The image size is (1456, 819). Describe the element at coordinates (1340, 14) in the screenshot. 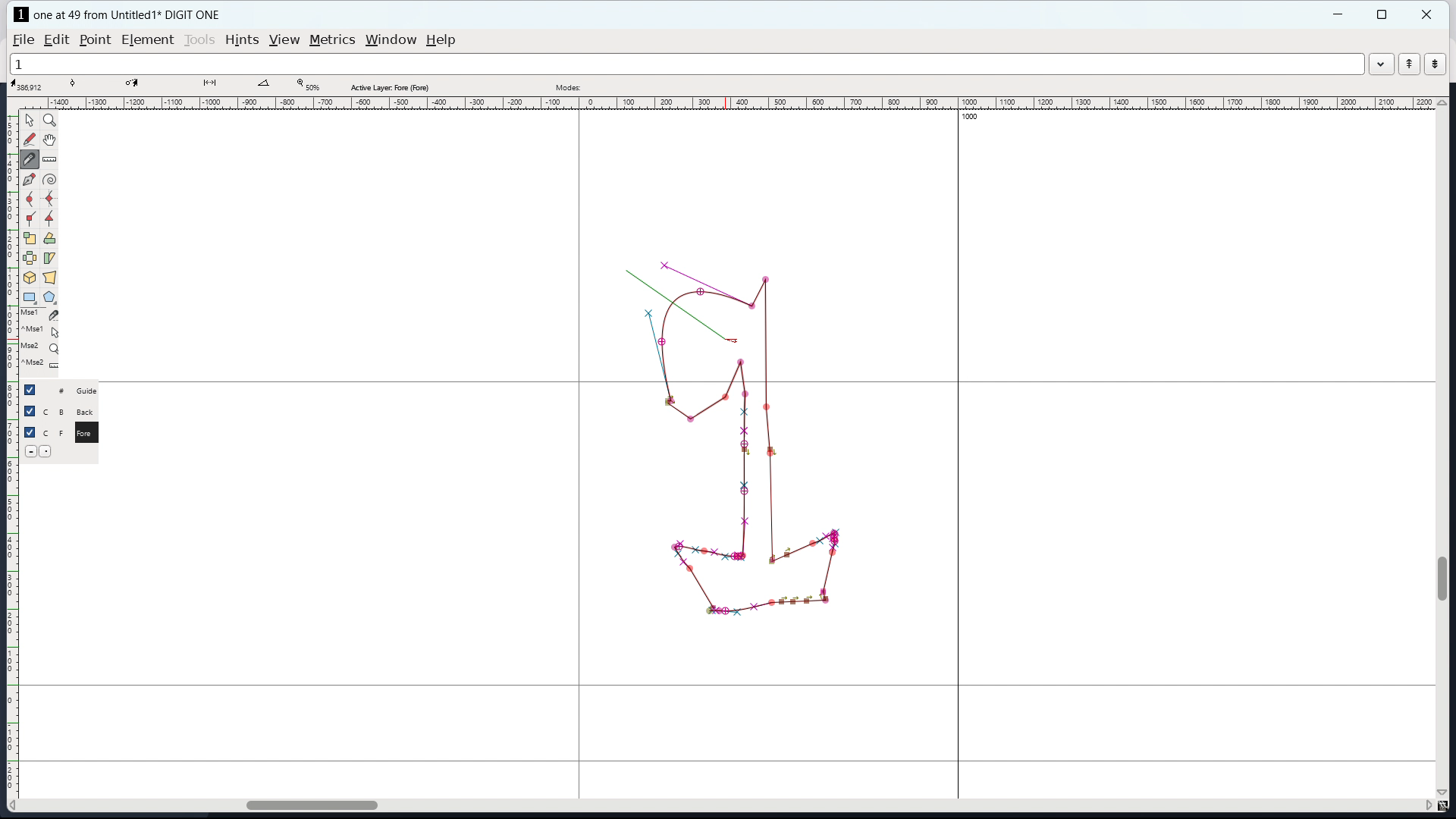

I see `minimize` at that location.